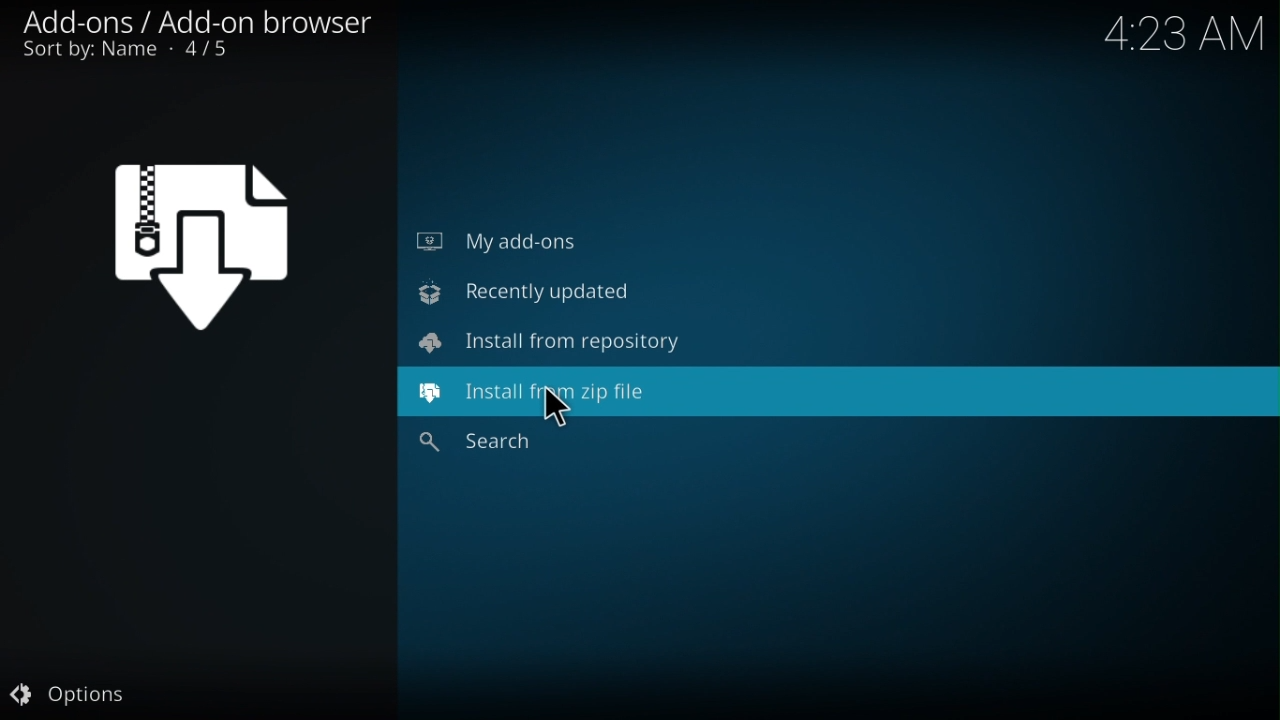 This screenshot has height=720, width=1280. I want to click on Options, so click(78, 698).